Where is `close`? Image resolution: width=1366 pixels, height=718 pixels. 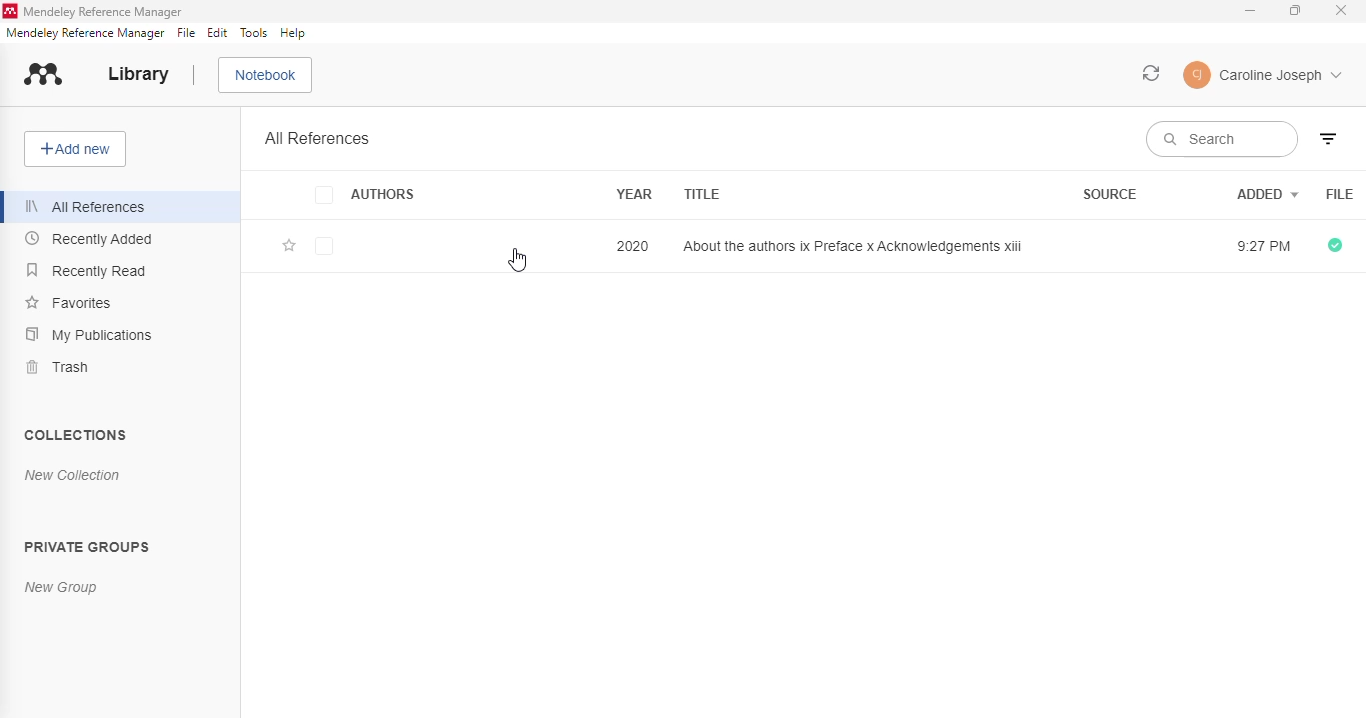 close is located at coordinates (1341, 10).